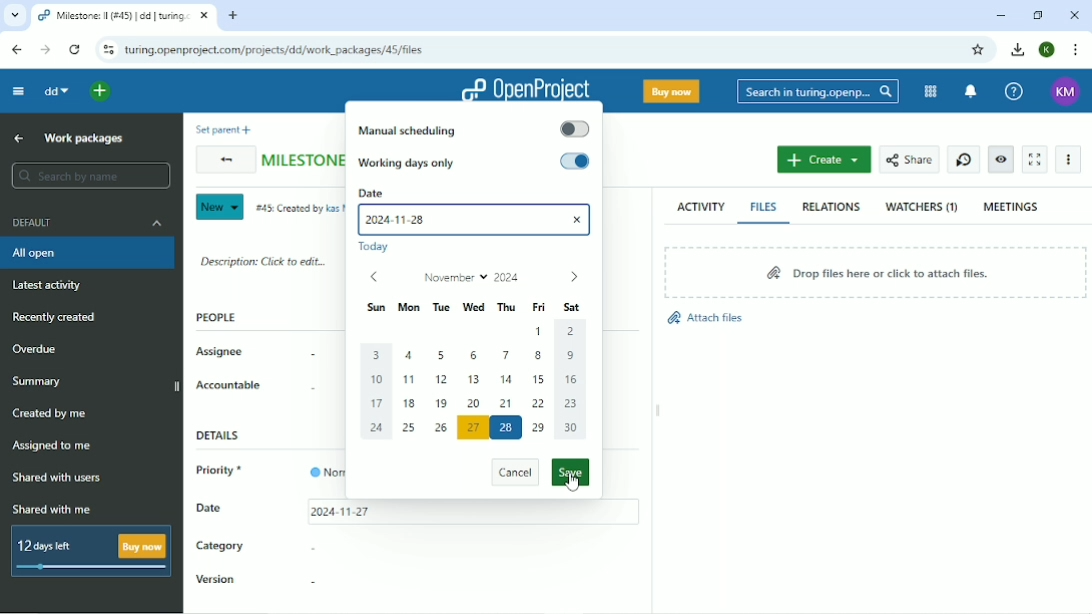 Image resolution: width=1092 pixels, height=614 pixels. Describe the element at coordinates (1067, 91) in the screenshot. I see `KM` at that location.